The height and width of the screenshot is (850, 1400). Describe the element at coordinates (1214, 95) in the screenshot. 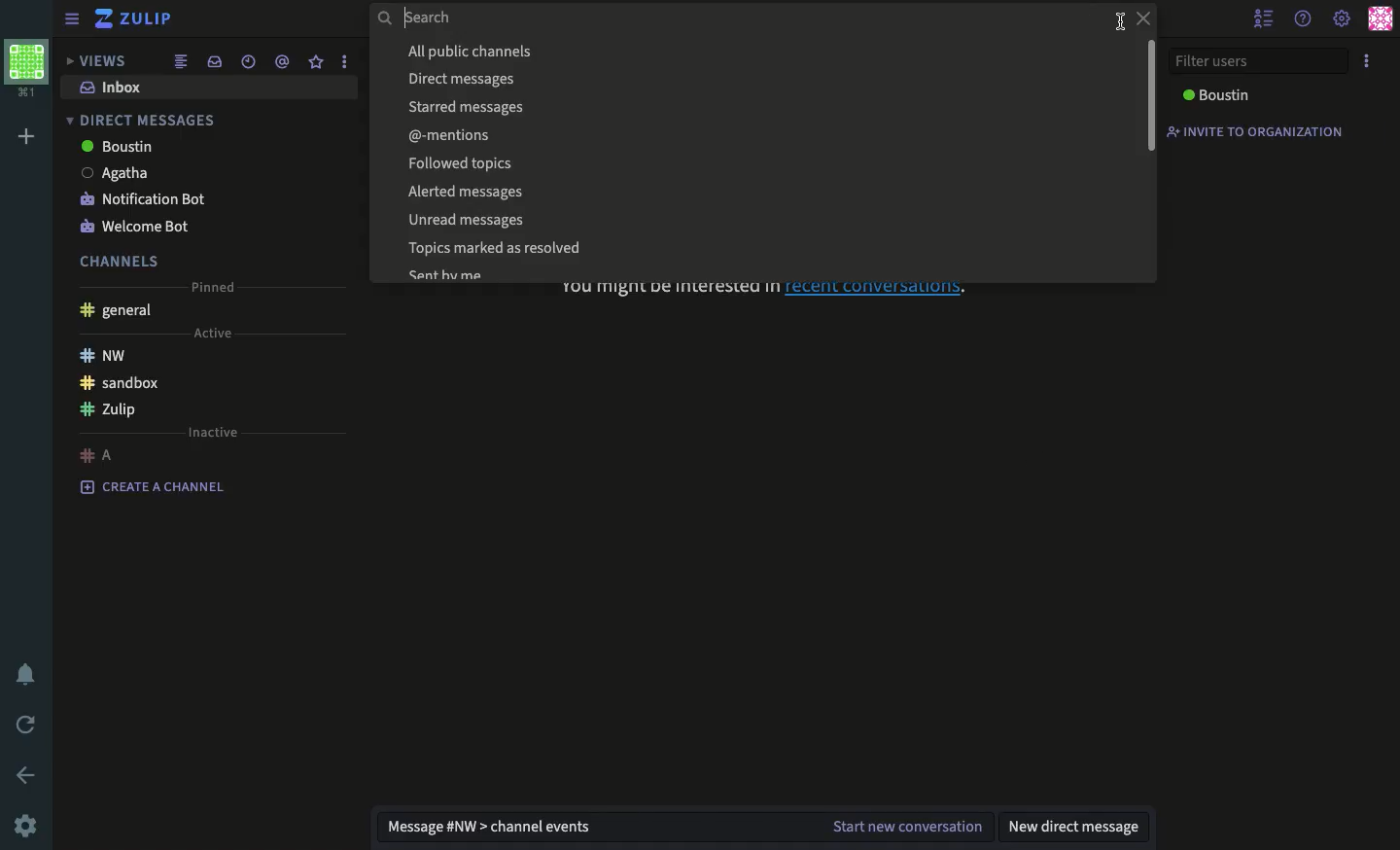

I see `boustin` at that location.